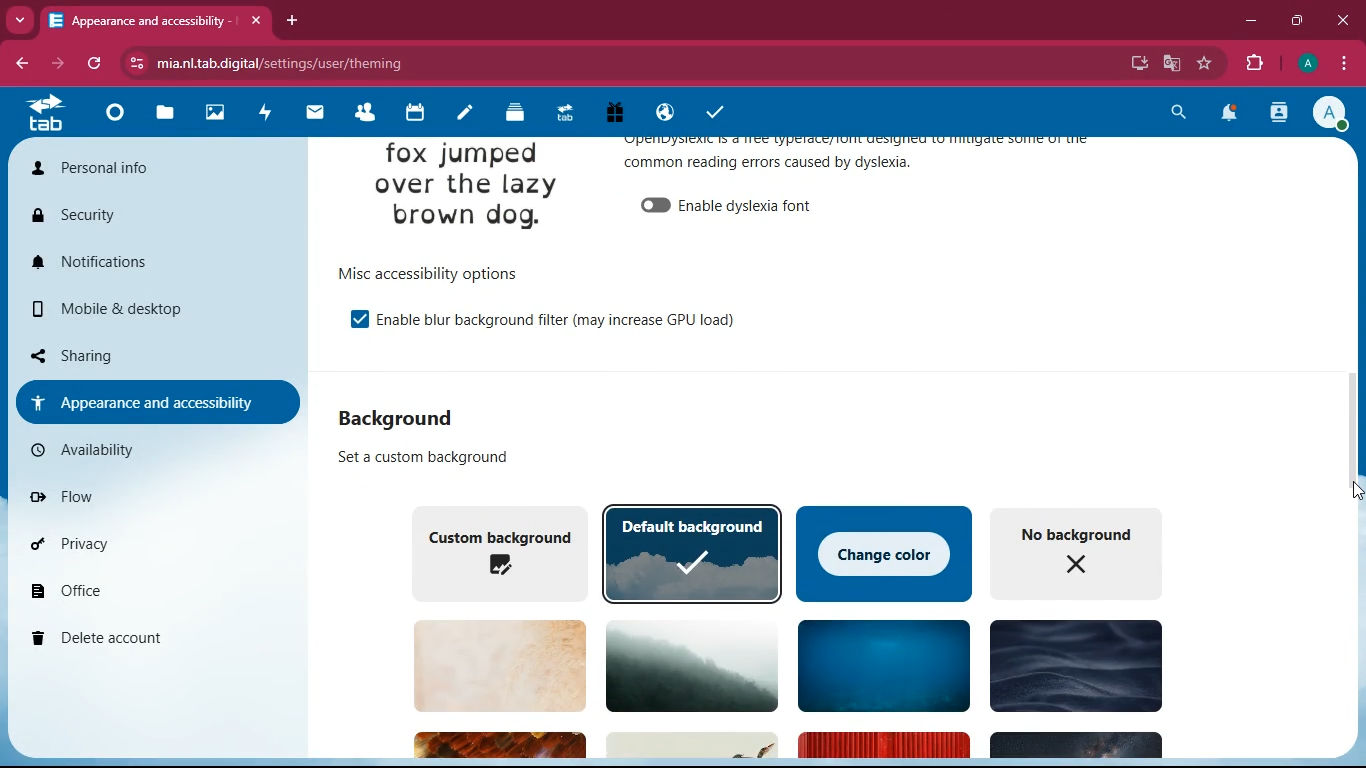  I want to click on background, so click(689, 663).